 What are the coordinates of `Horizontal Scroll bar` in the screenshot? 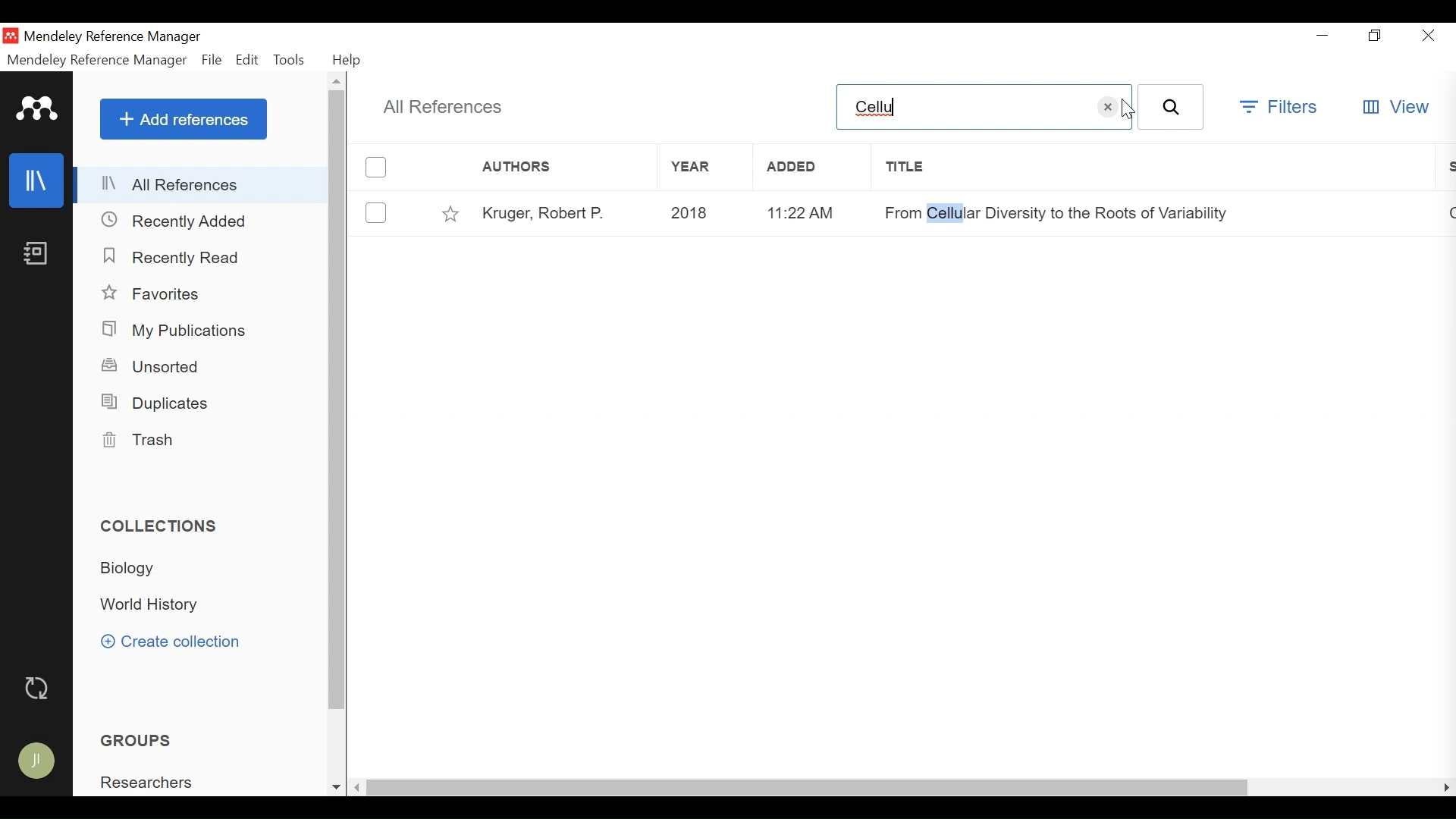 It's located at (809, 789).